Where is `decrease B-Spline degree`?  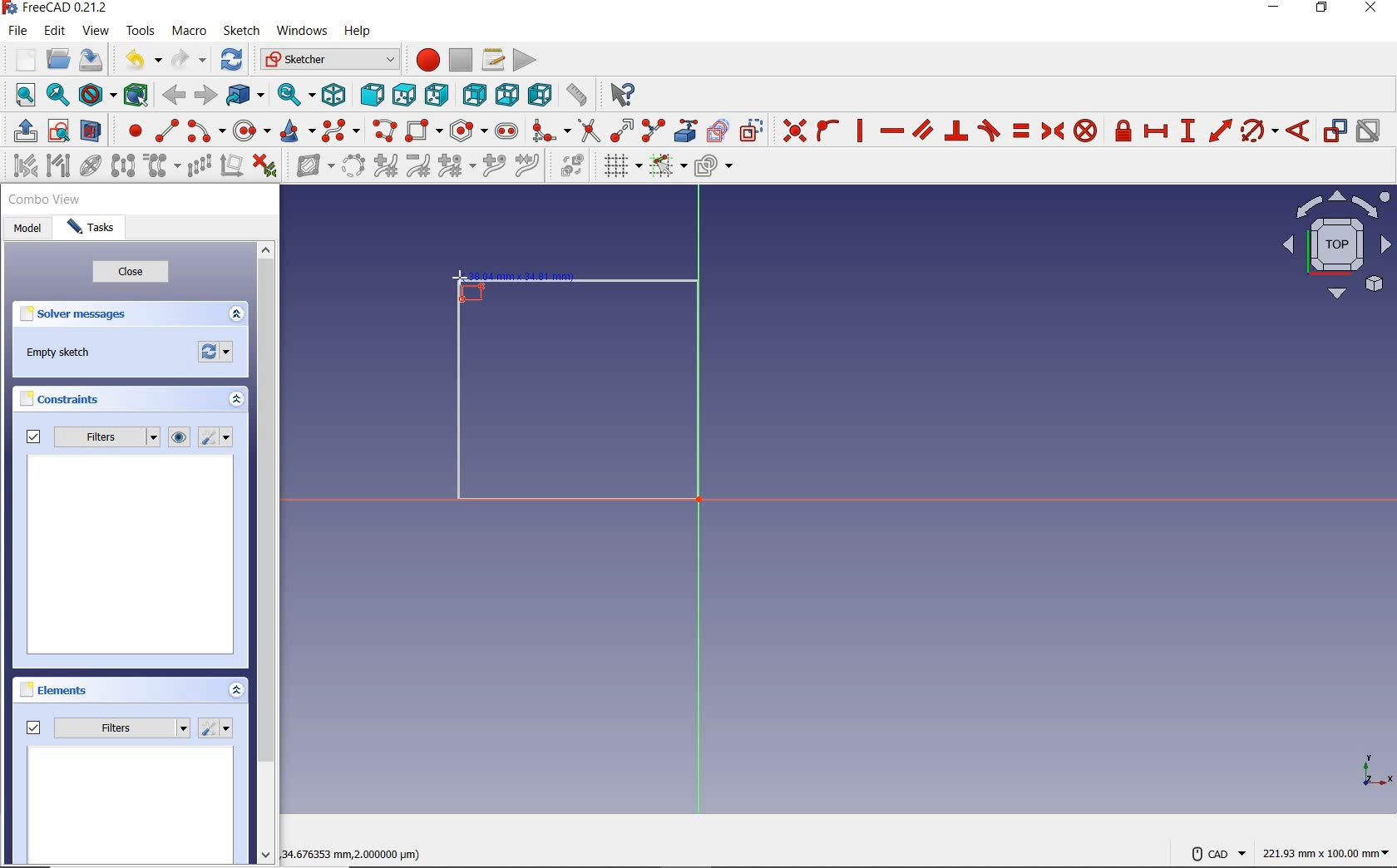 decrease B-Spline degree is located at coordinates (419, 168).